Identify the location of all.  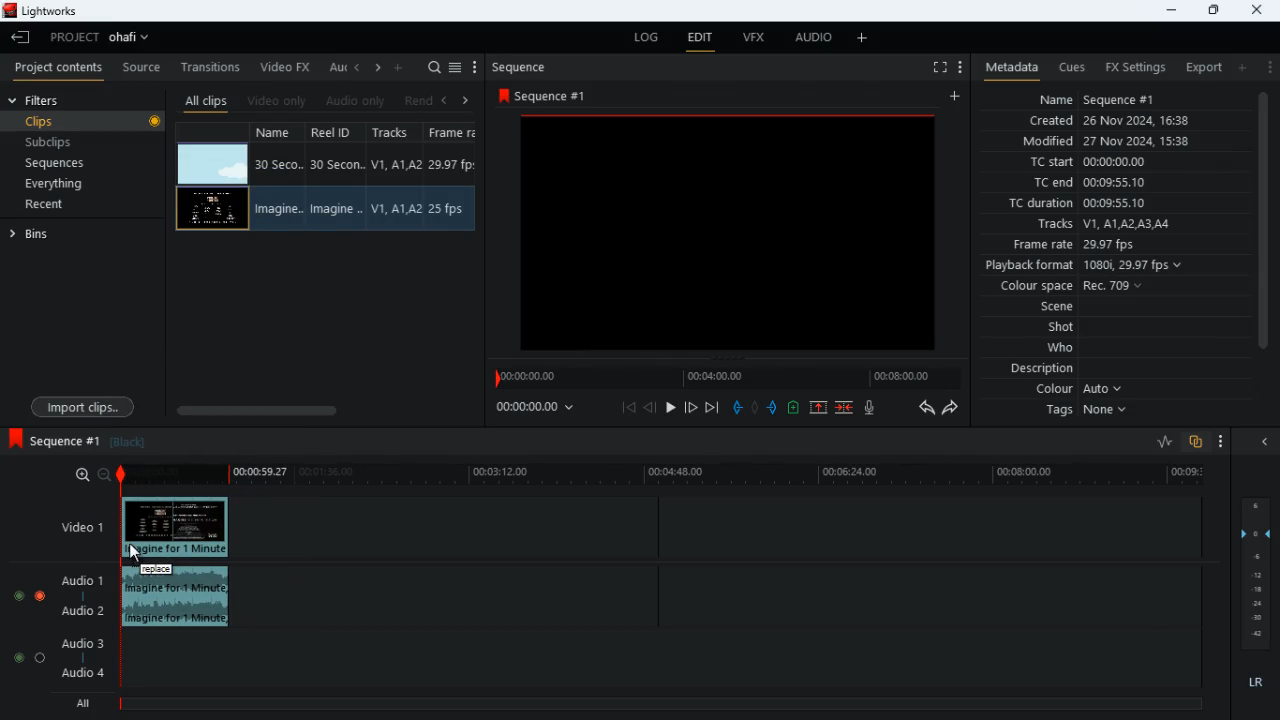
(77, 702).